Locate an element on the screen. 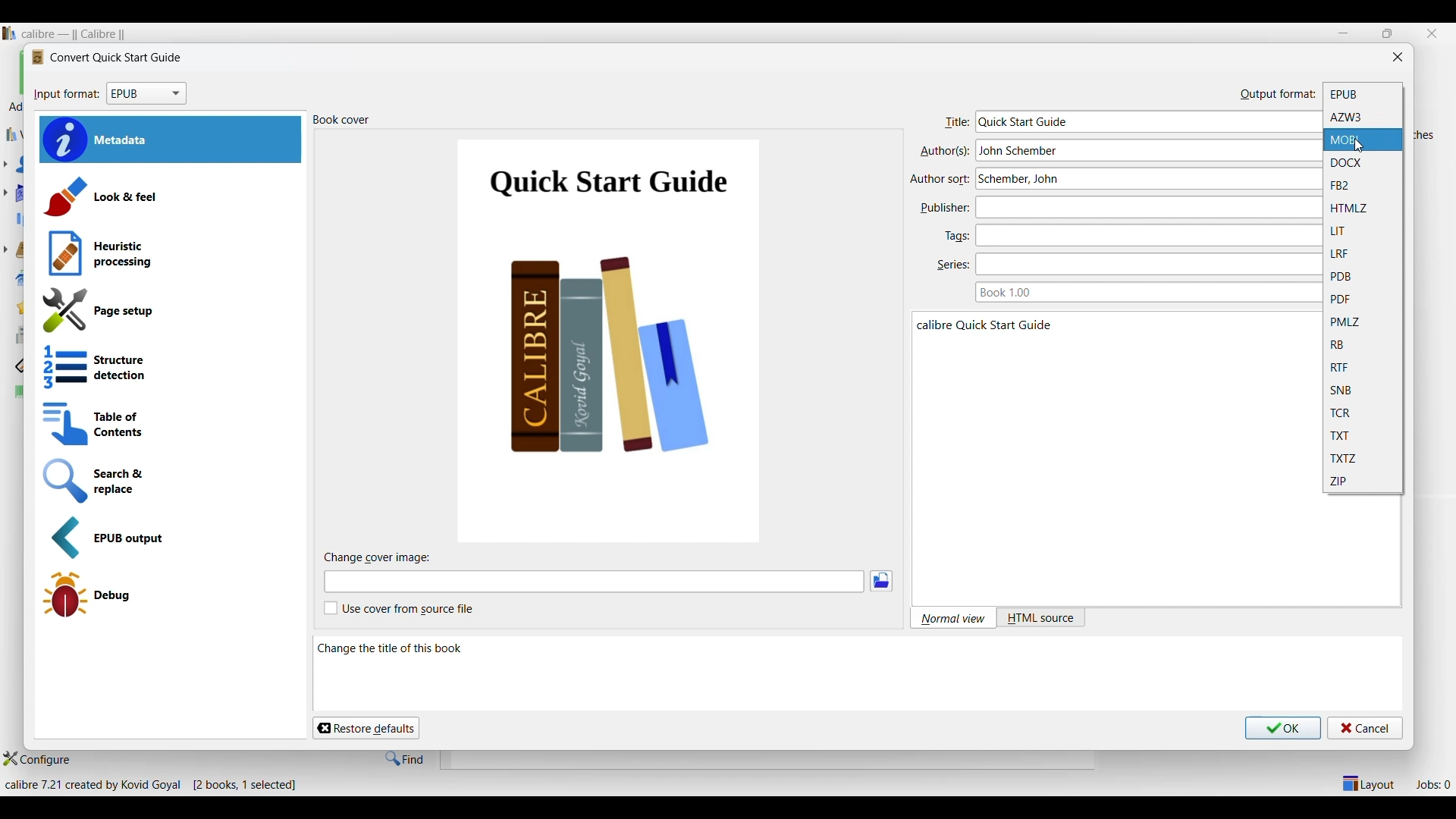 Image resolution: width=1456 pixels, height=819 pixels. TXT is located at coordinates (1363, 437).